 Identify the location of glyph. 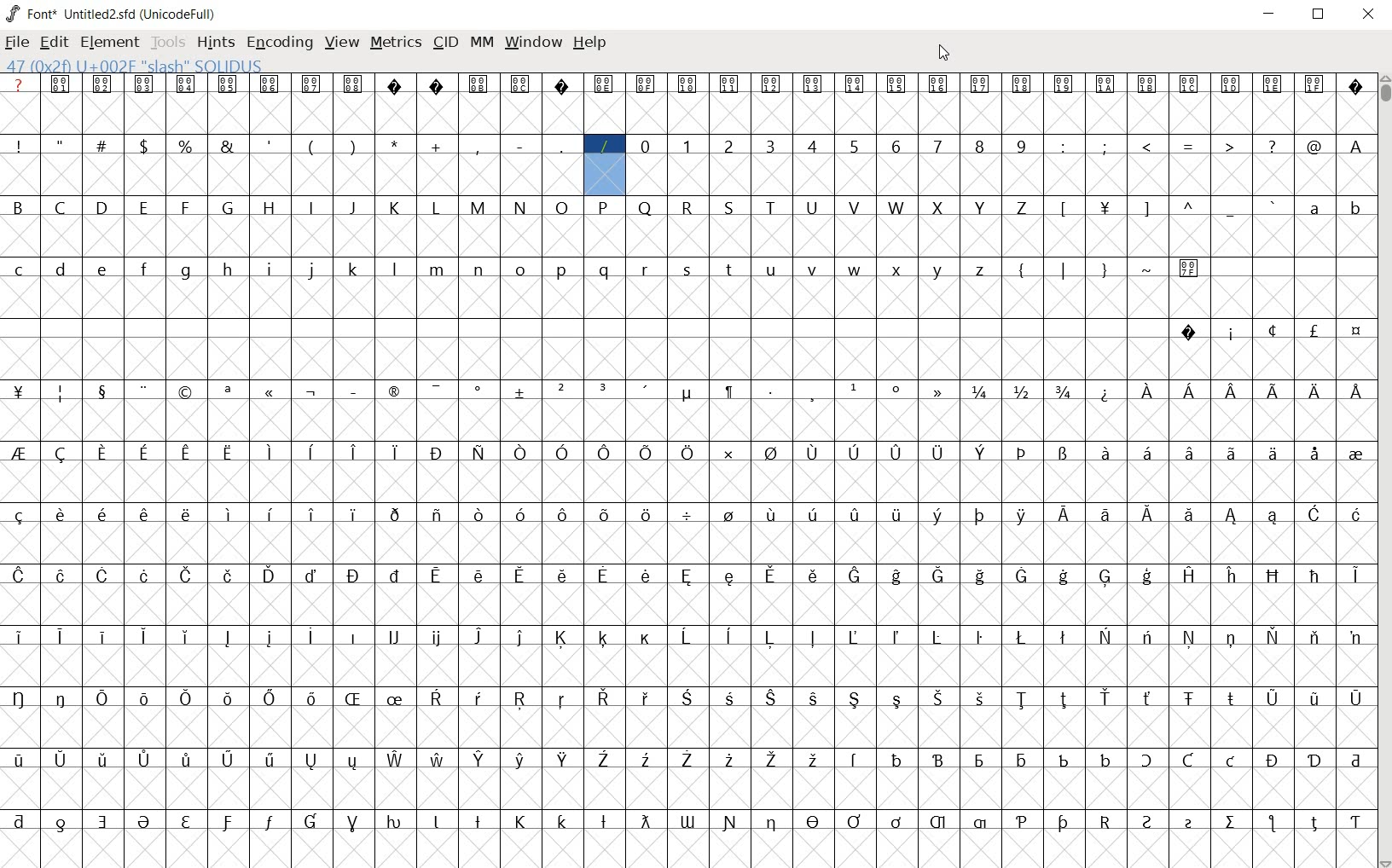
(105, 270).